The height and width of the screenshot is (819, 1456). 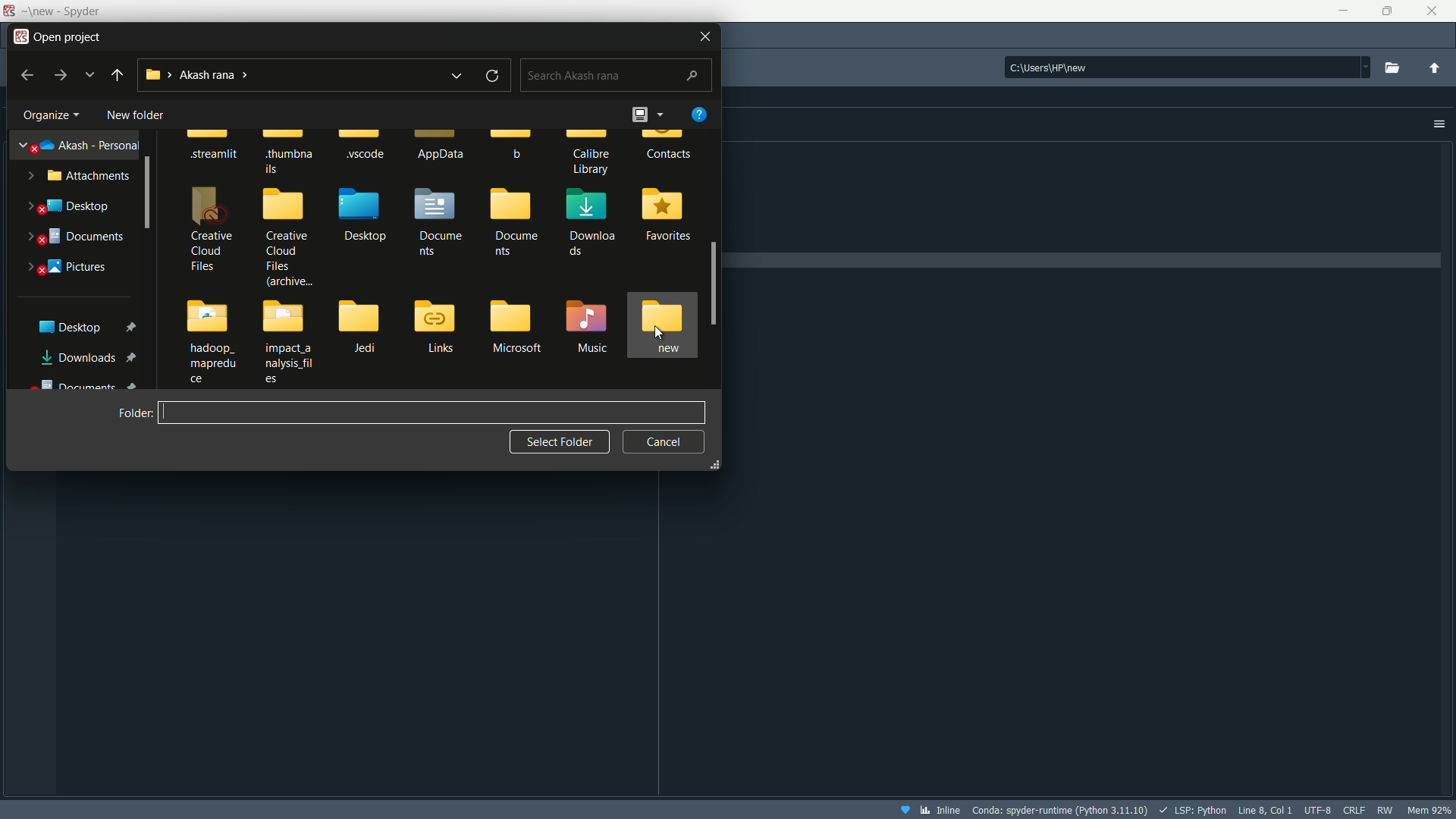 I want to click on scroll bar, so click(x=716, y=281).